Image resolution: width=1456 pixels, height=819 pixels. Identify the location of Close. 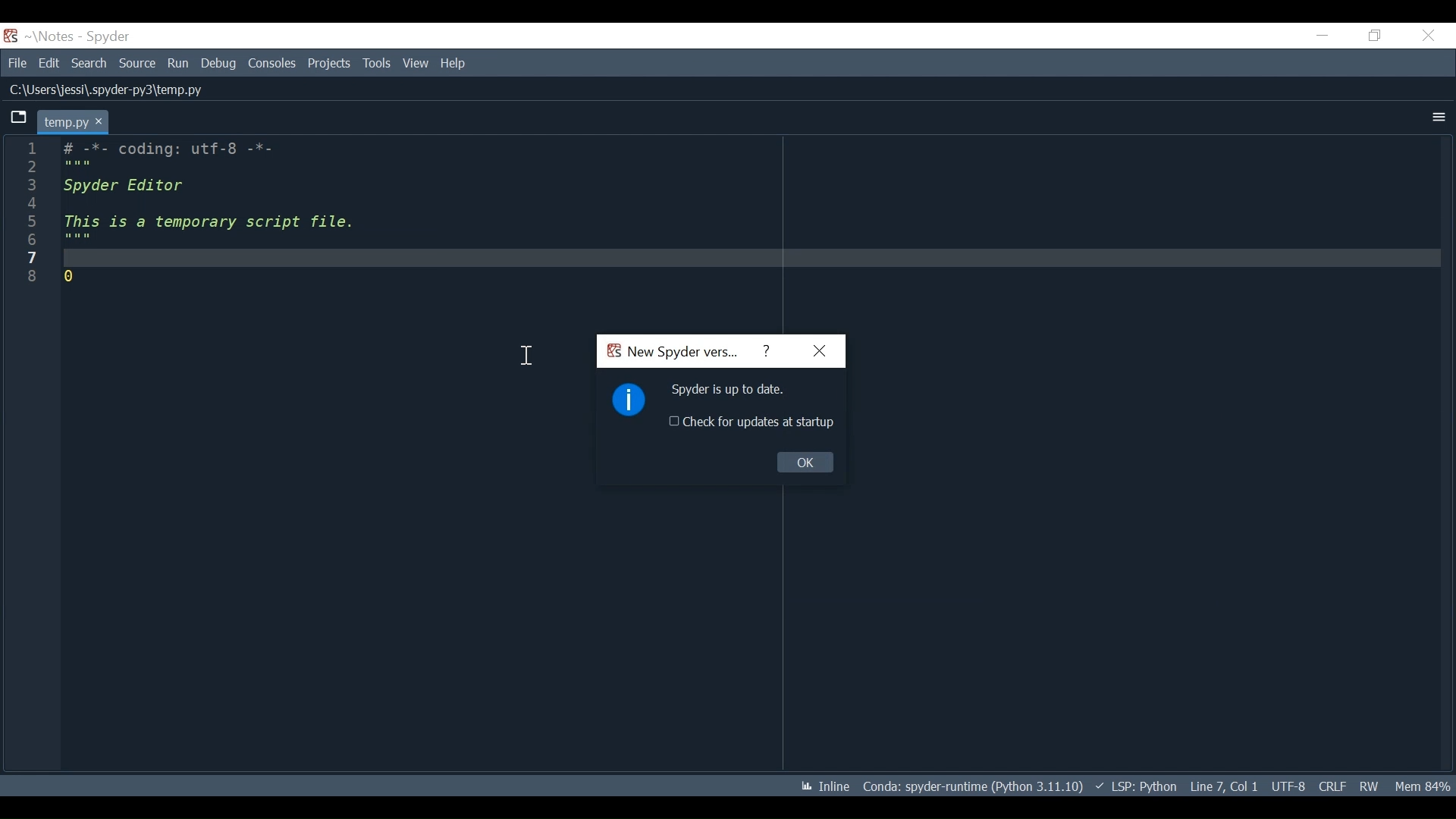
(1429, 34).